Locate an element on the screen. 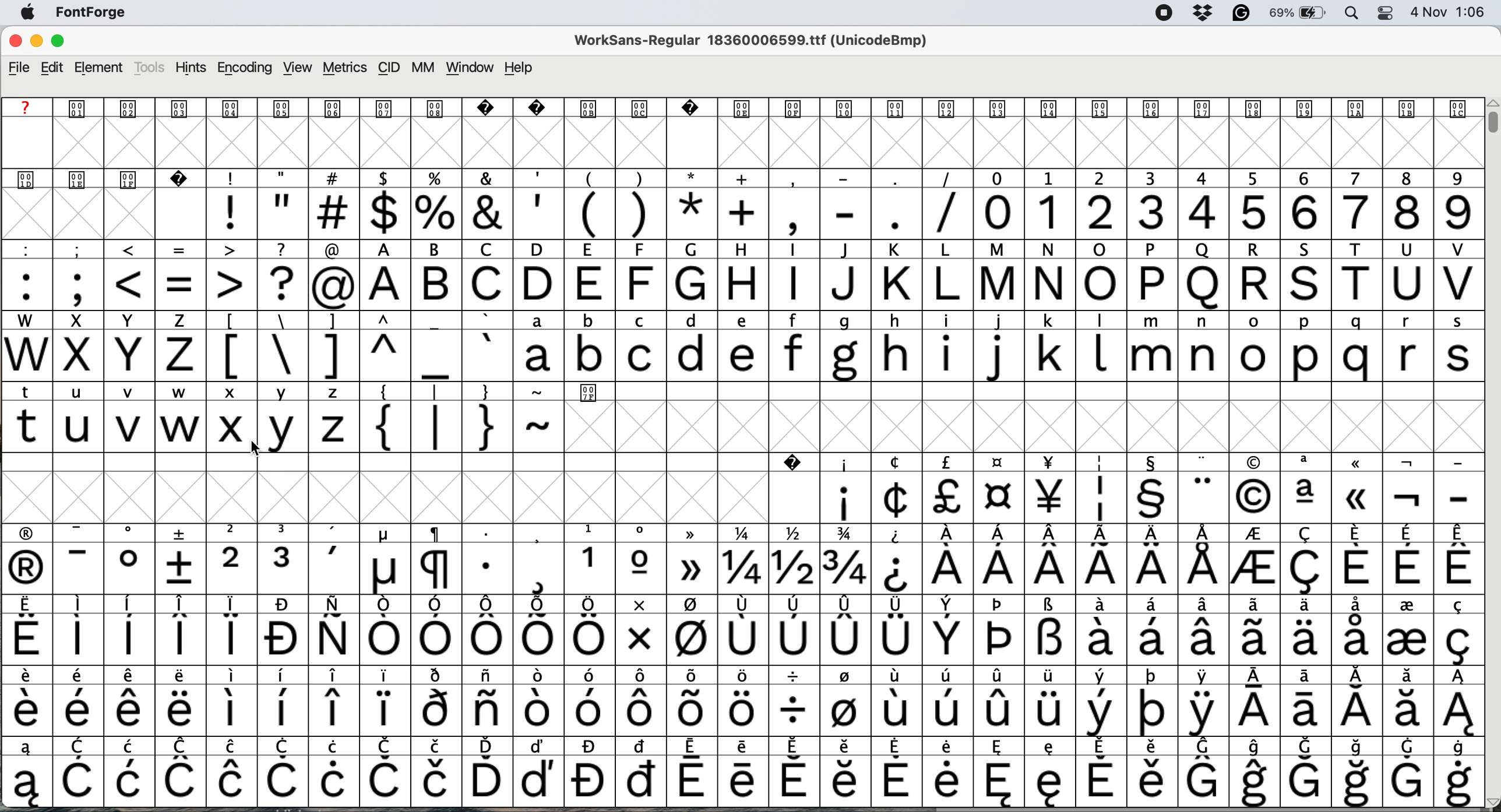 The width and height of the screenshot is (1501, 812). screen recorder is located at coordinates (1160, 13).